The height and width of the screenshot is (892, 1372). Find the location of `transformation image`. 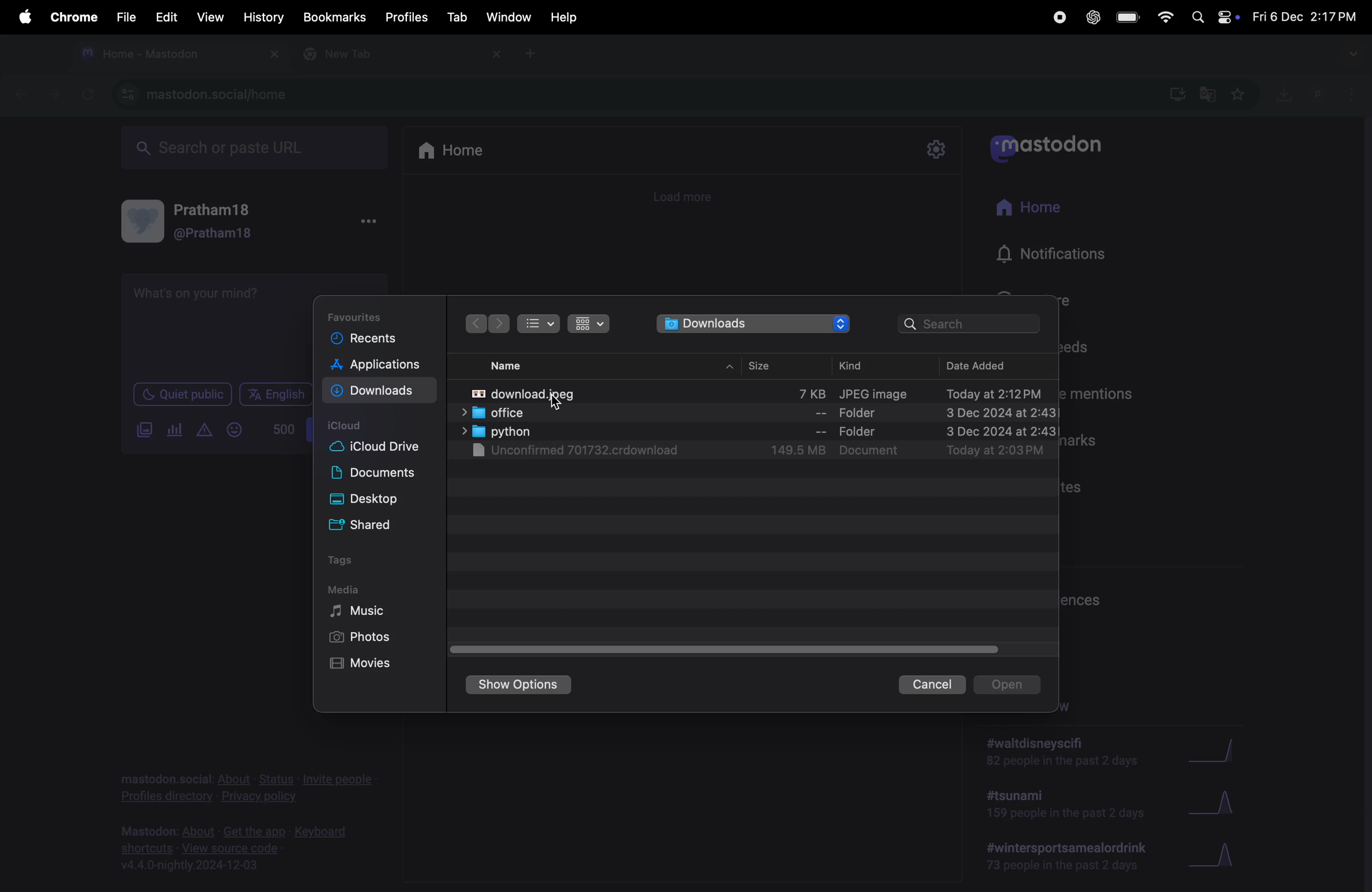

transformation image is located at coordinates (754, 391).